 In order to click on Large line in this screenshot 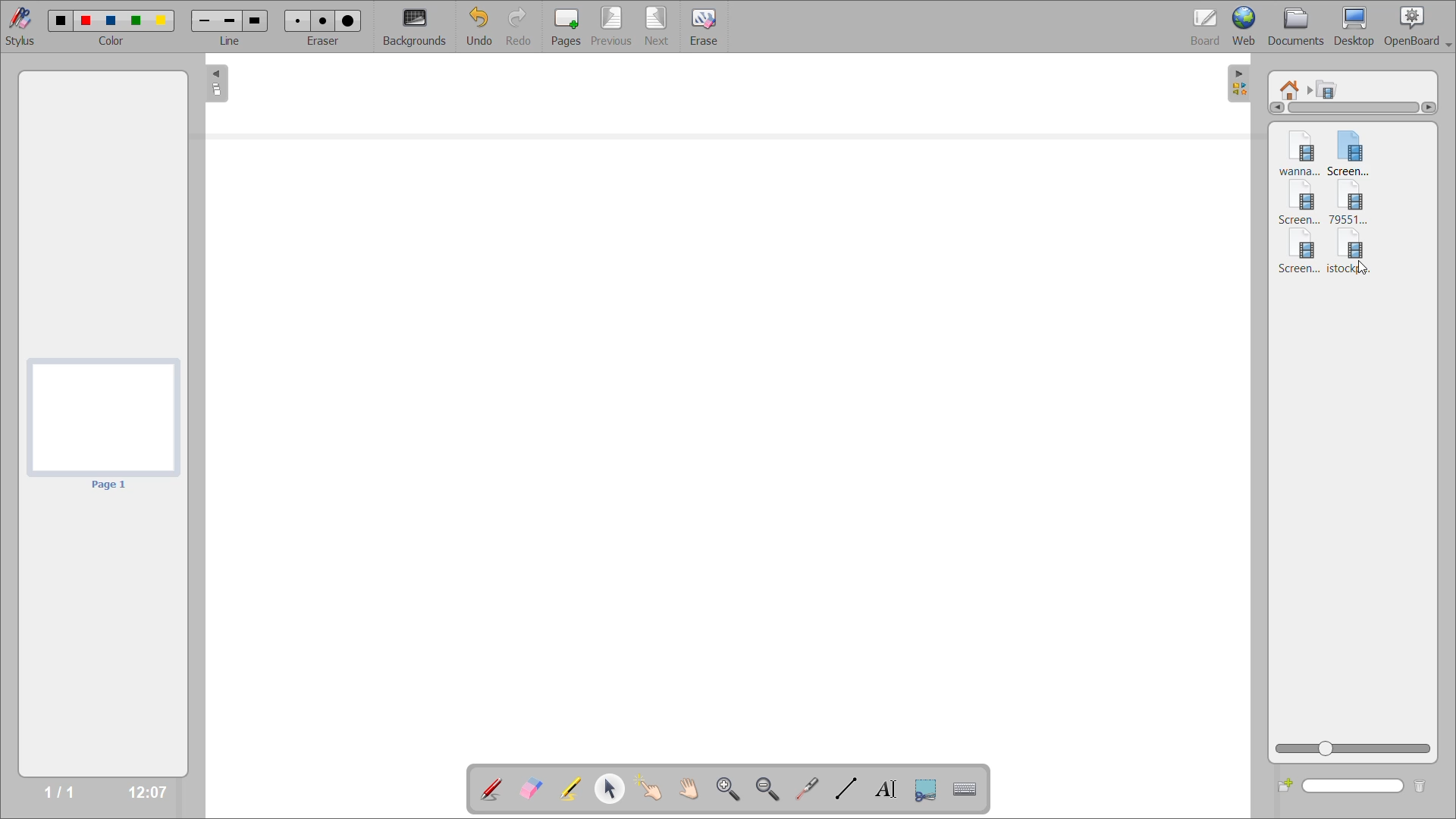, I will do `click(256, 20)`.